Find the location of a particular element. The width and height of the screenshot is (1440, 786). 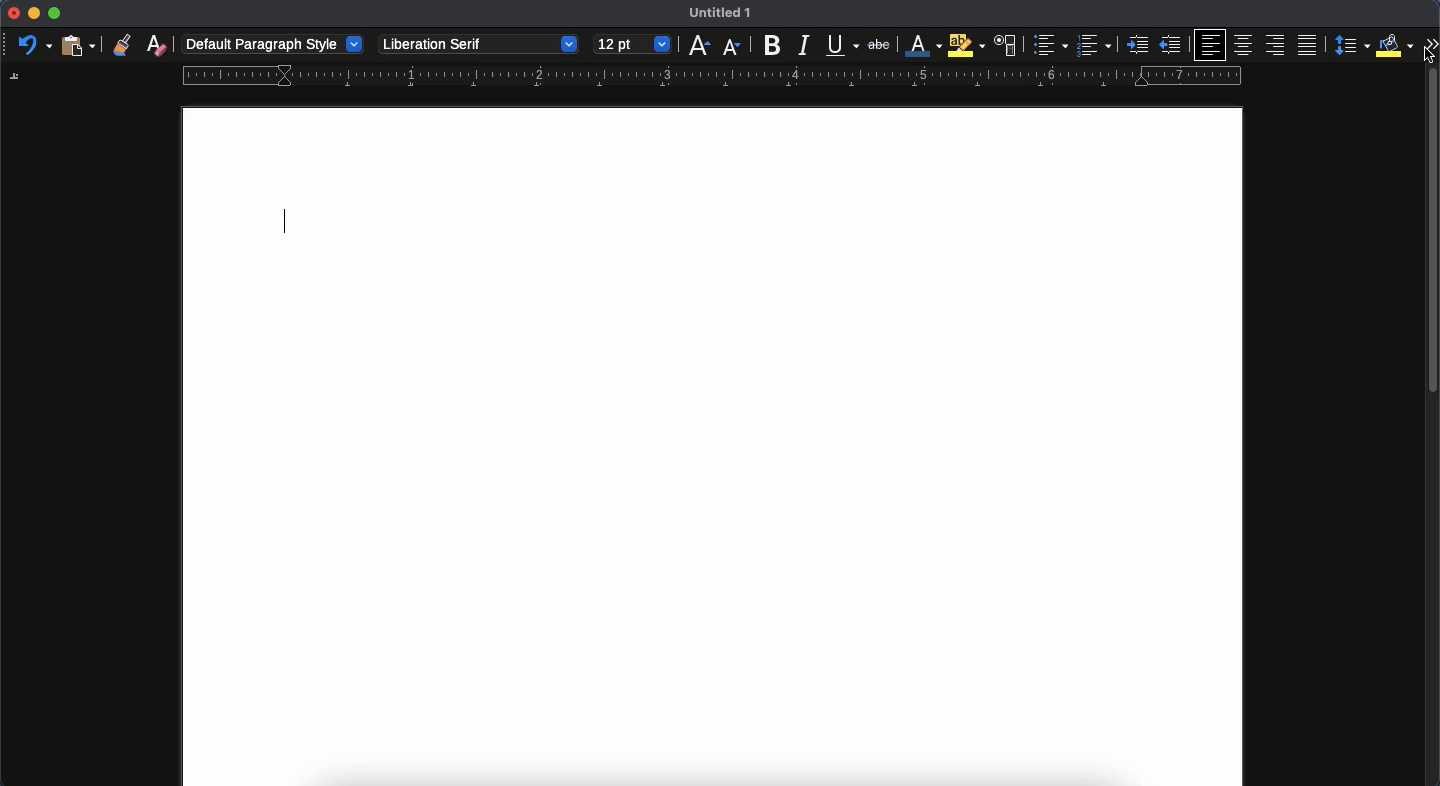

highlight color is located at coordinates (966, 45).